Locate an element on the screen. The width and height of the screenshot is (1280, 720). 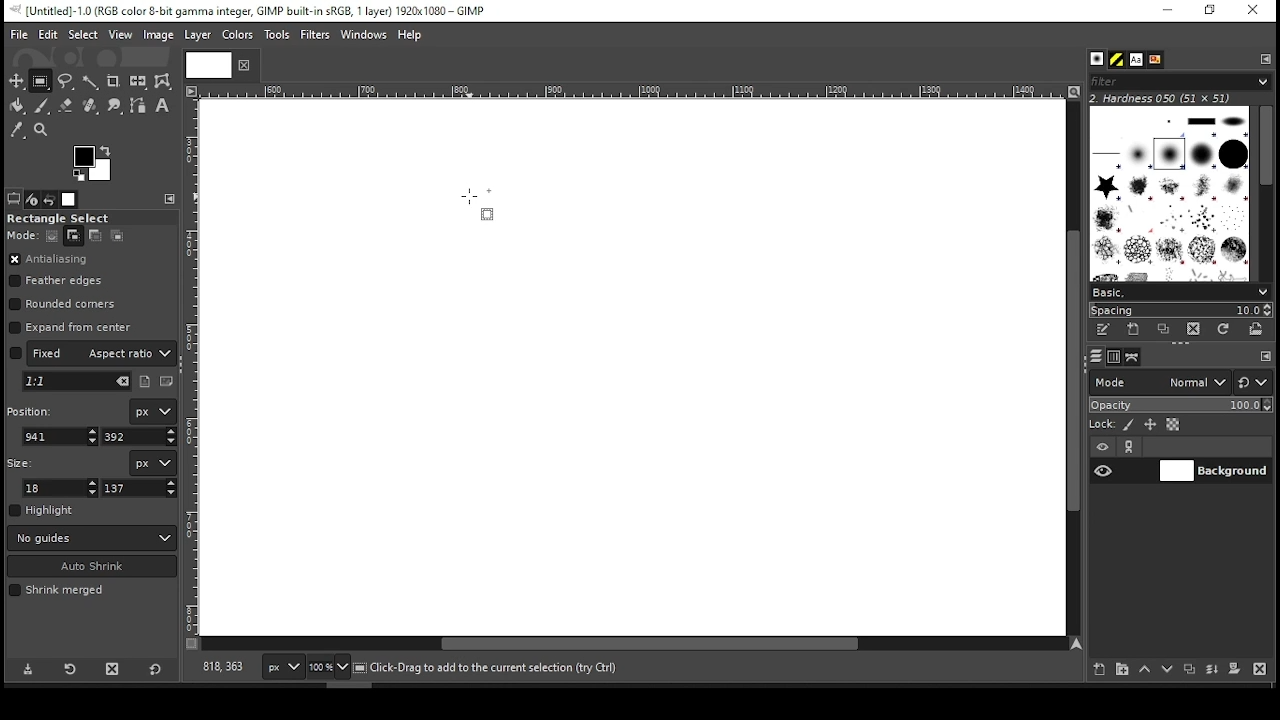
paths tool is located at coordinates (139, 107).